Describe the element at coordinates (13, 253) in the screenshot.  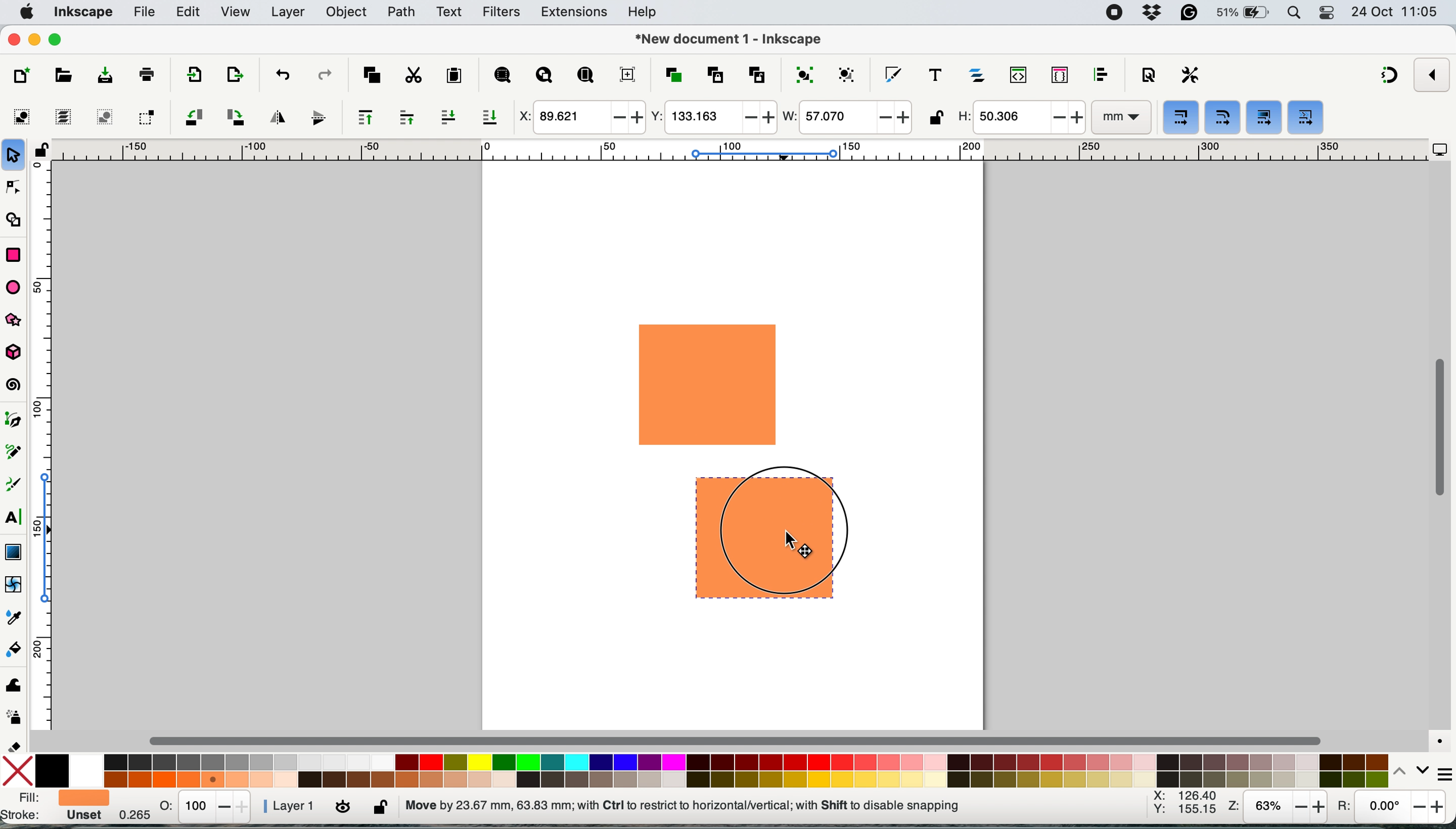
I see `rectangle tool` at that location.